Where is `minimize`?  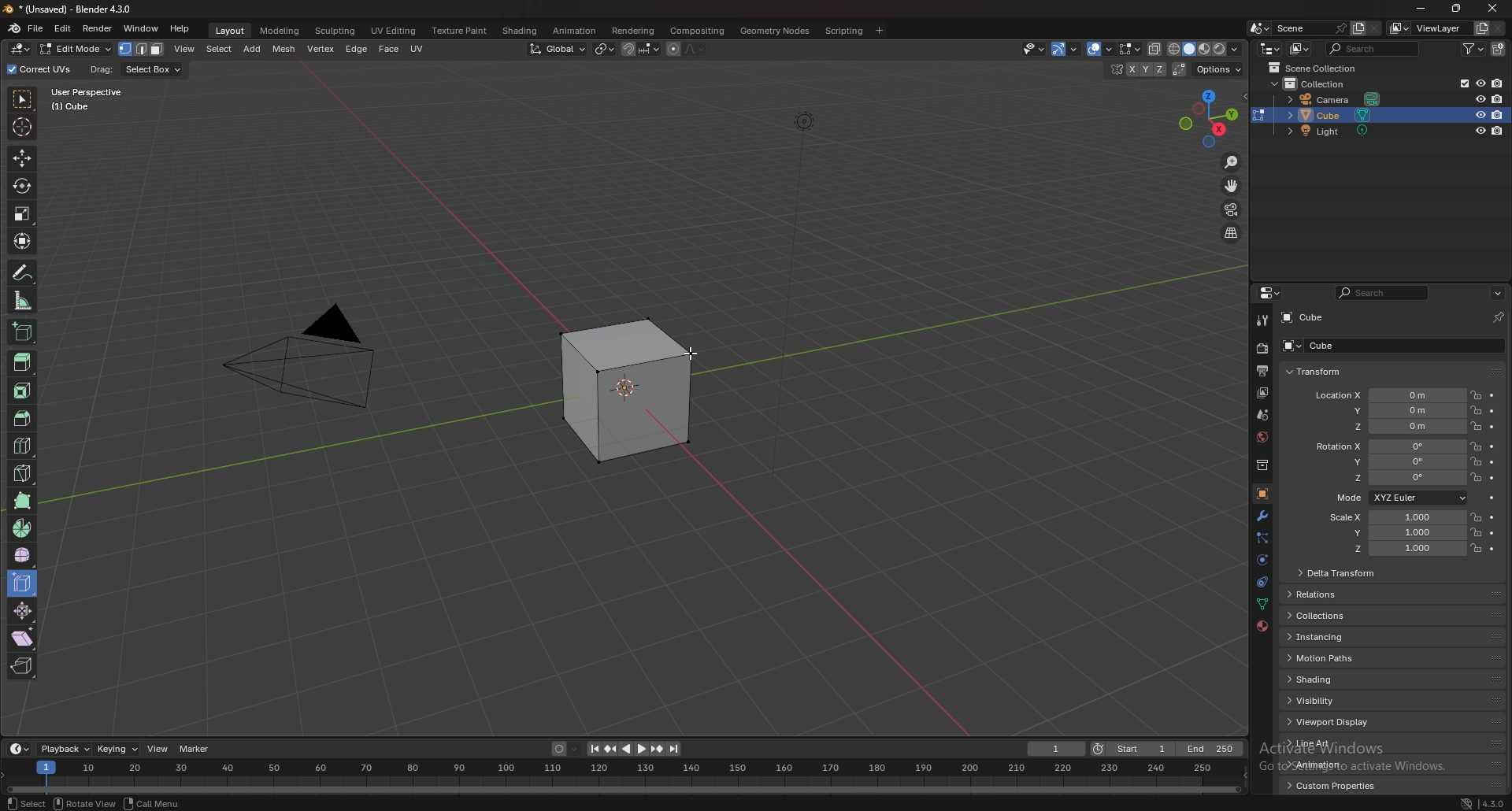
minimize is located at coordinates (1421, 9).